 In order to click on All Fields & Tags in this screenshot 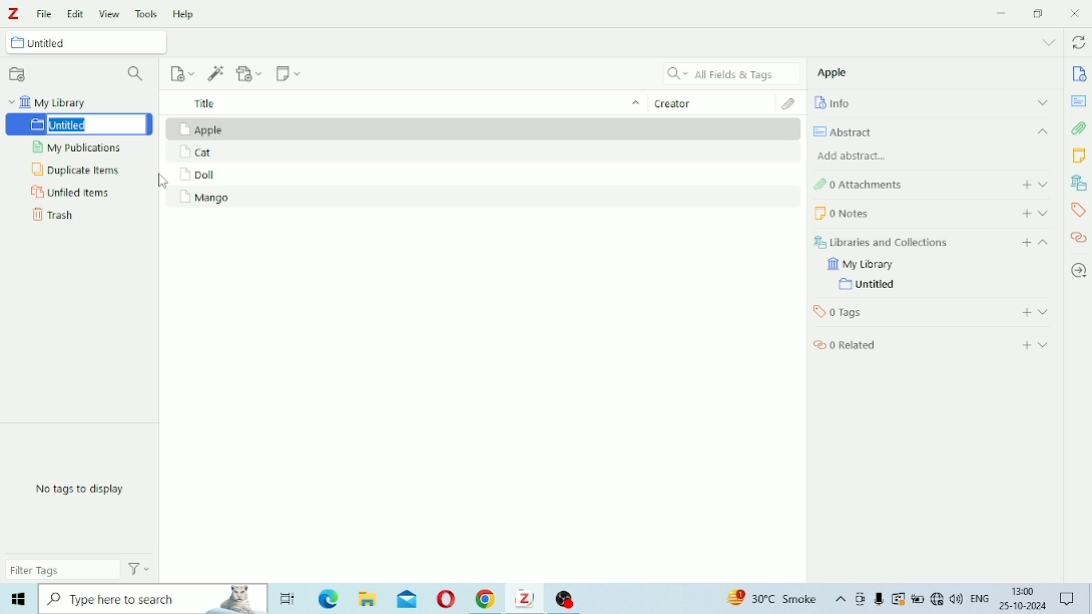, I will do `click(730, 73)`.